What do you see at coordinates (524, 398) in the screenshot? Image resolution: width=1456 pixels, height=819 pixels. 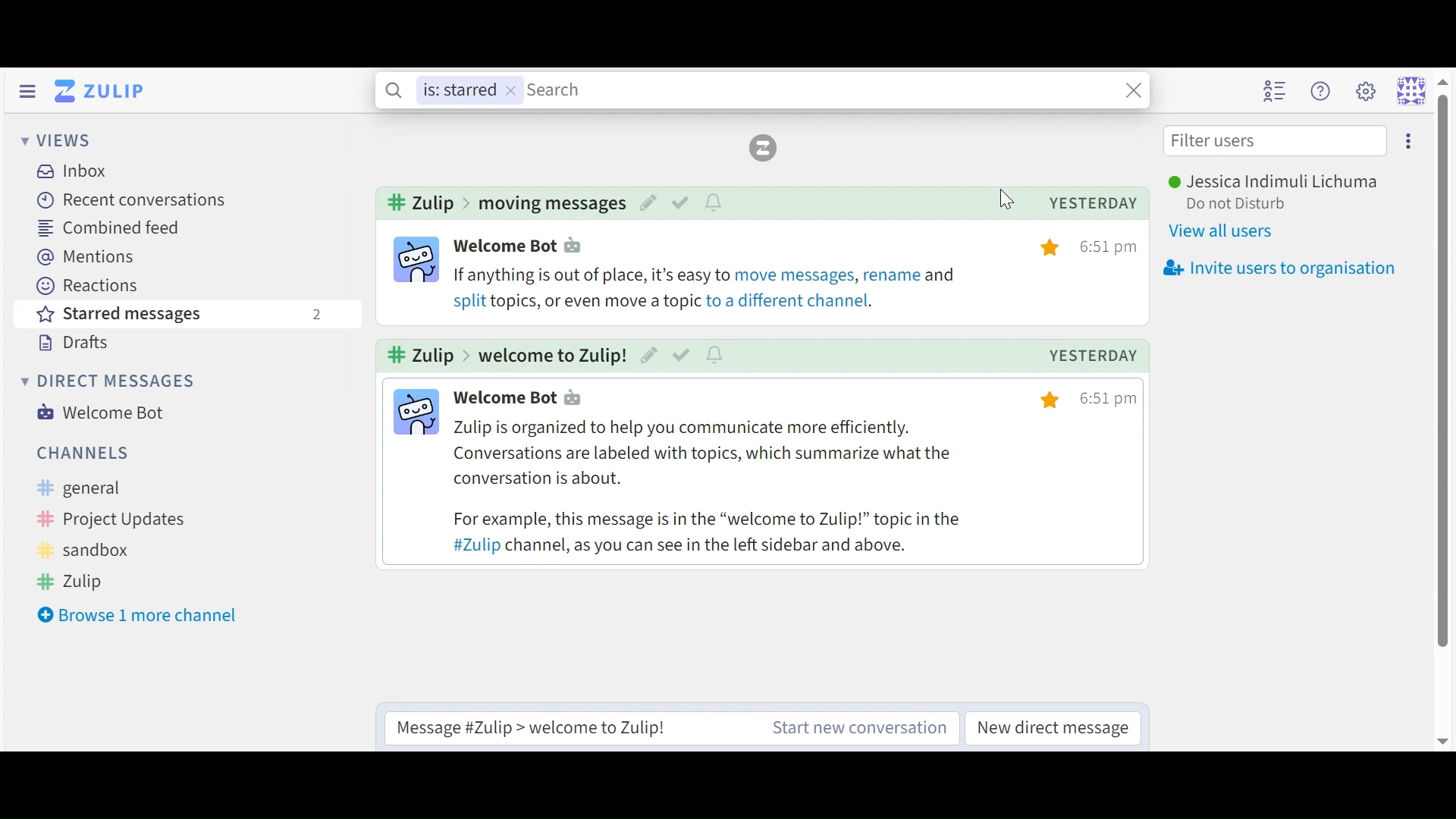 I see `user profile` at bounding box center [524, 398].